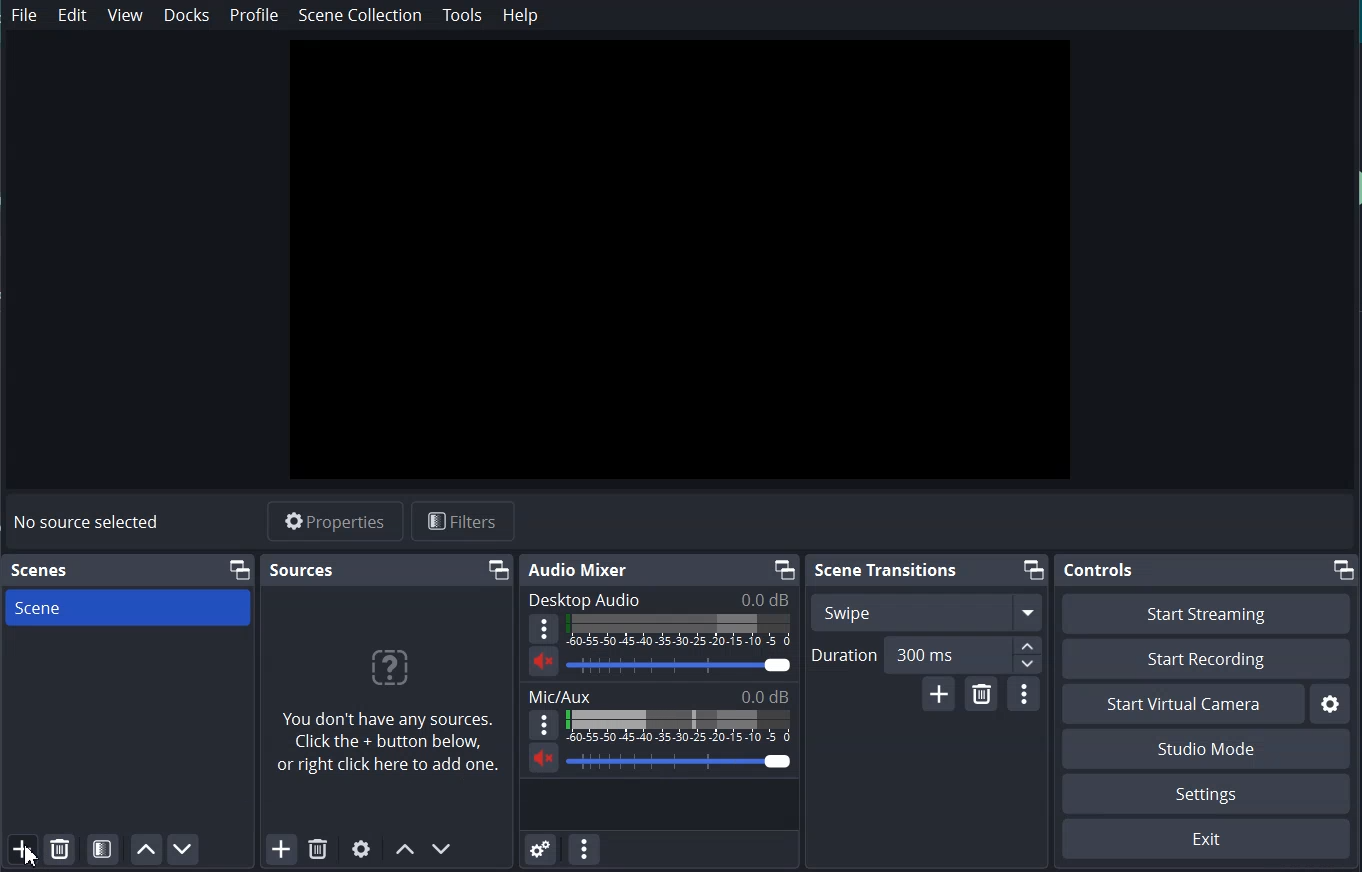 This screenshot has height=872, width=1362. Describe the element at coordinates (1207, 748) in the screenshot. I see `Studio Mode` at that location.